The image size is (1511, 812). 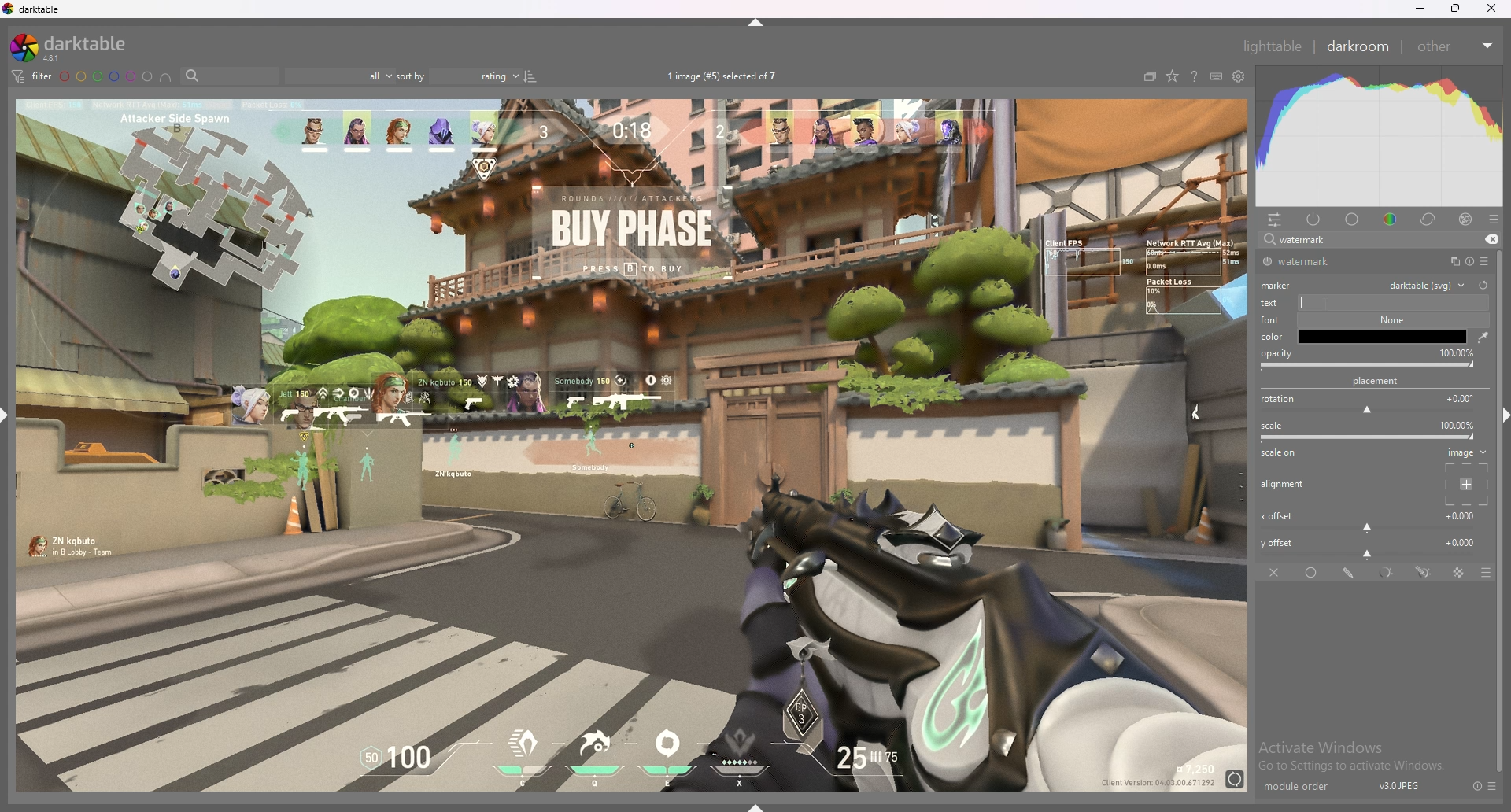 I want to click on color label, so click(x=107, y=76).